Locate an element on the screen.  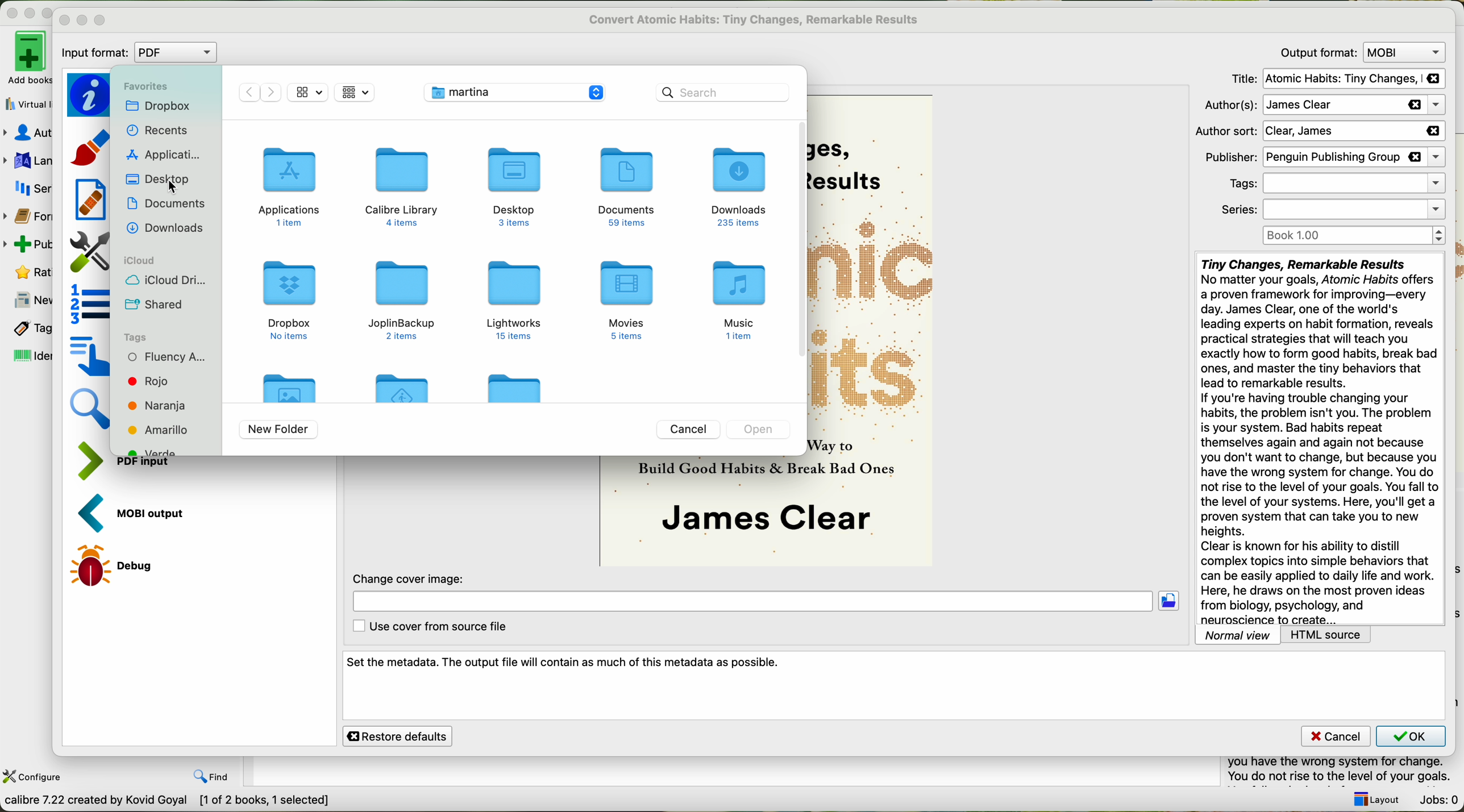
new folder is located at coordinates (278, 430).